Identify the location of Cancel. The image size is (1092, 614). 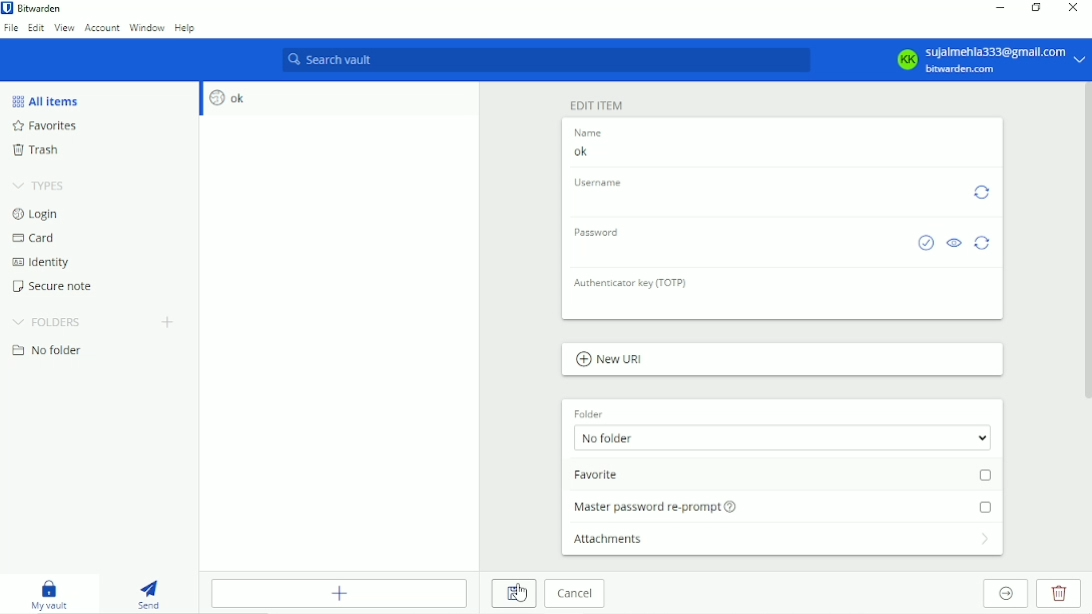
(573, 593).